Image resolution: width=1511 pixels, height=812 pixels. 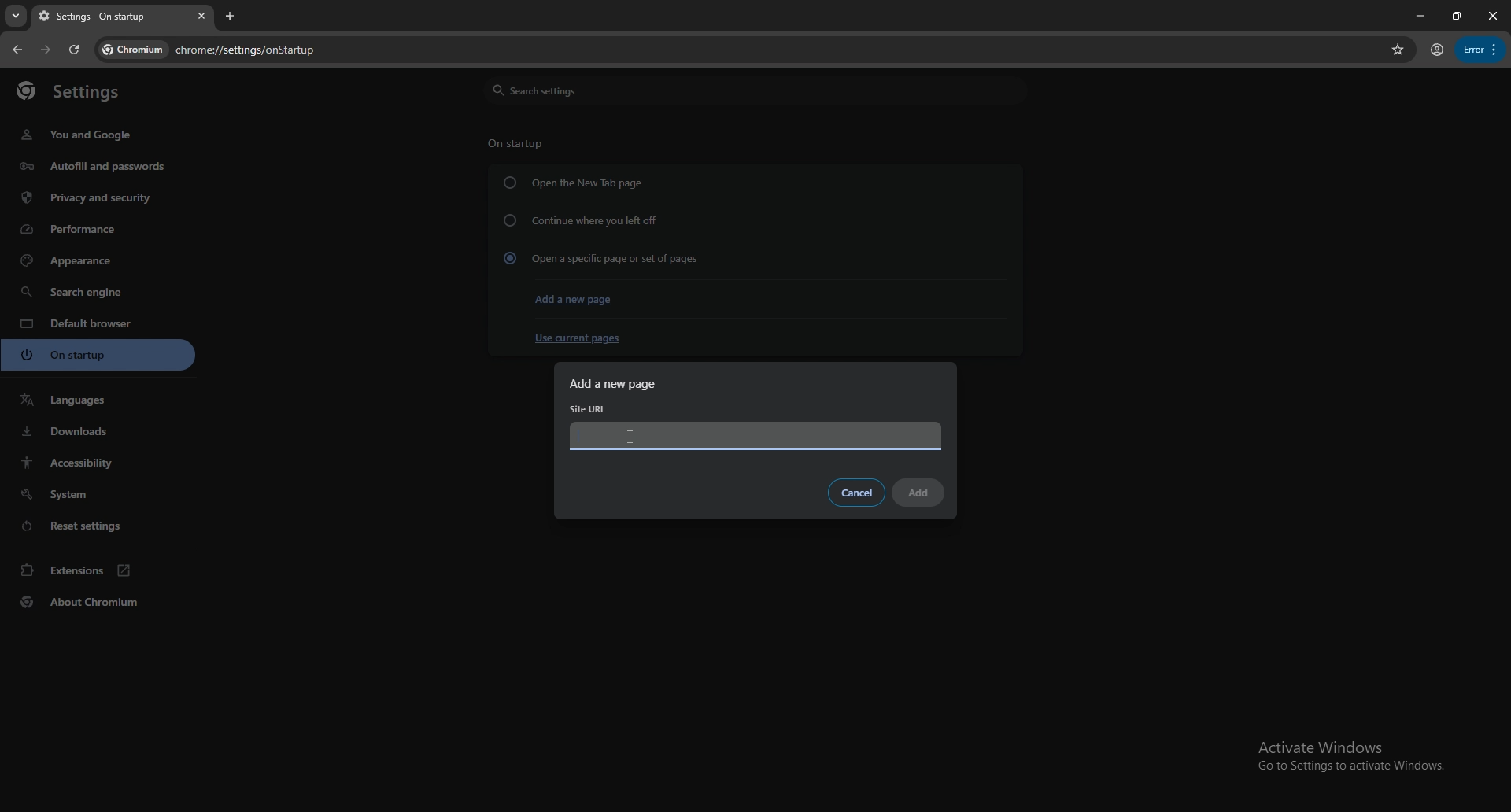 What do you see at coordinates (1454, 16) in the screenshot?
I see `resize` at bounding box center [1454, 16].